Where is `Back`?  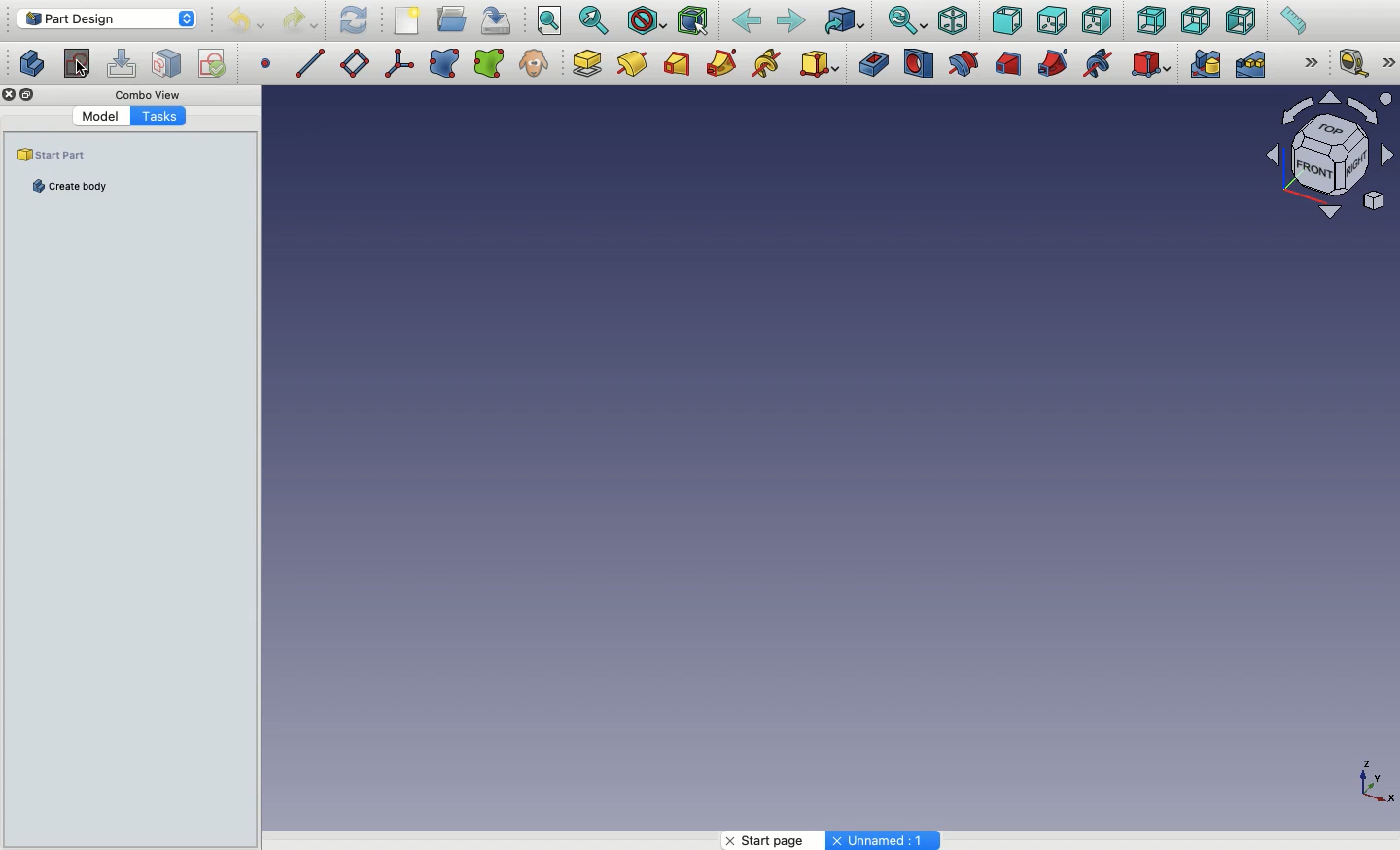
Back is located at coordinates (1152, 20).